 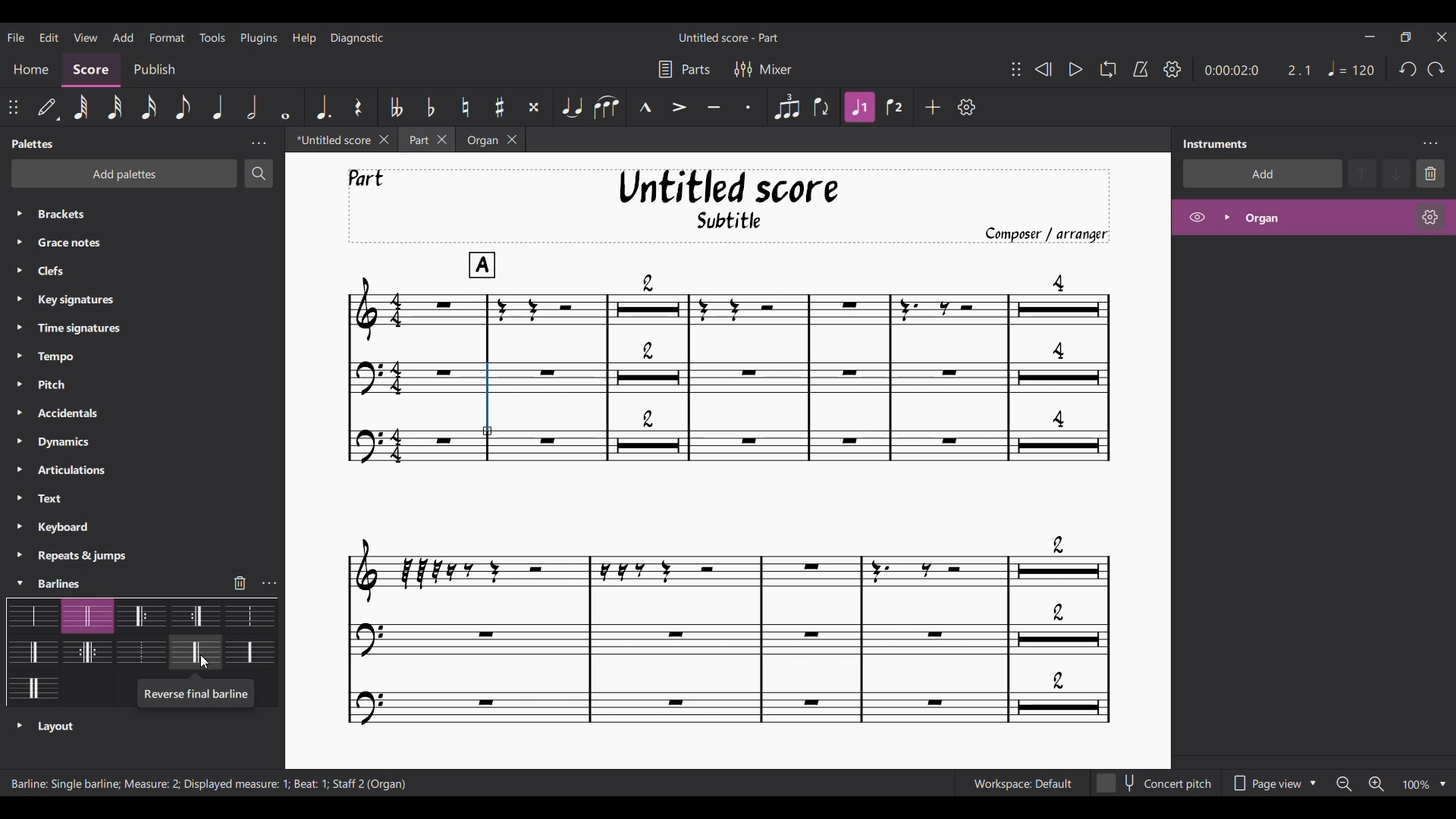 What do you see at coordinates (259, 174) in the screenshot?
I see `Search` at bounding box center [259, 174].